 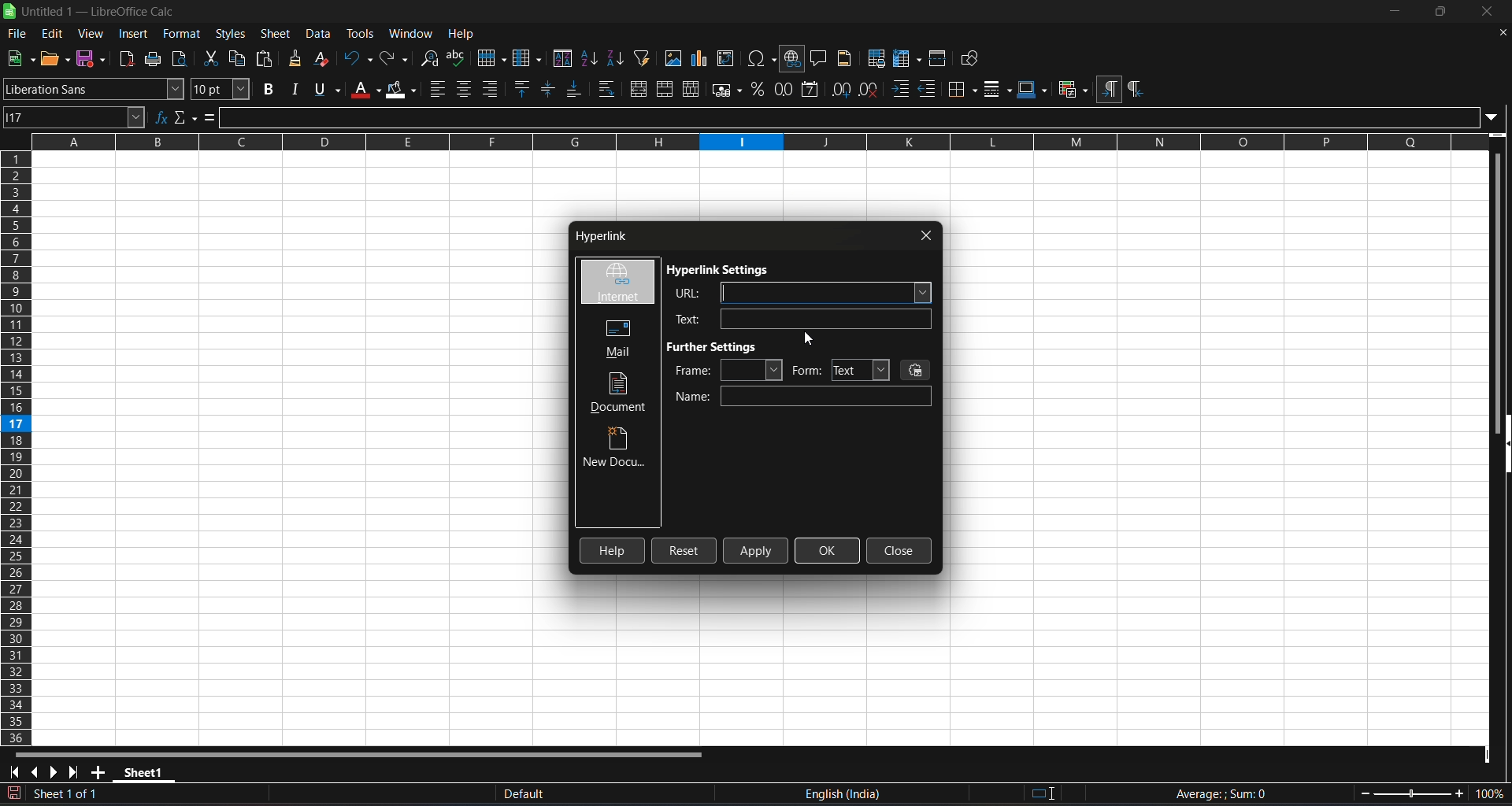 I want to click on save, so click(x=20, y=59).